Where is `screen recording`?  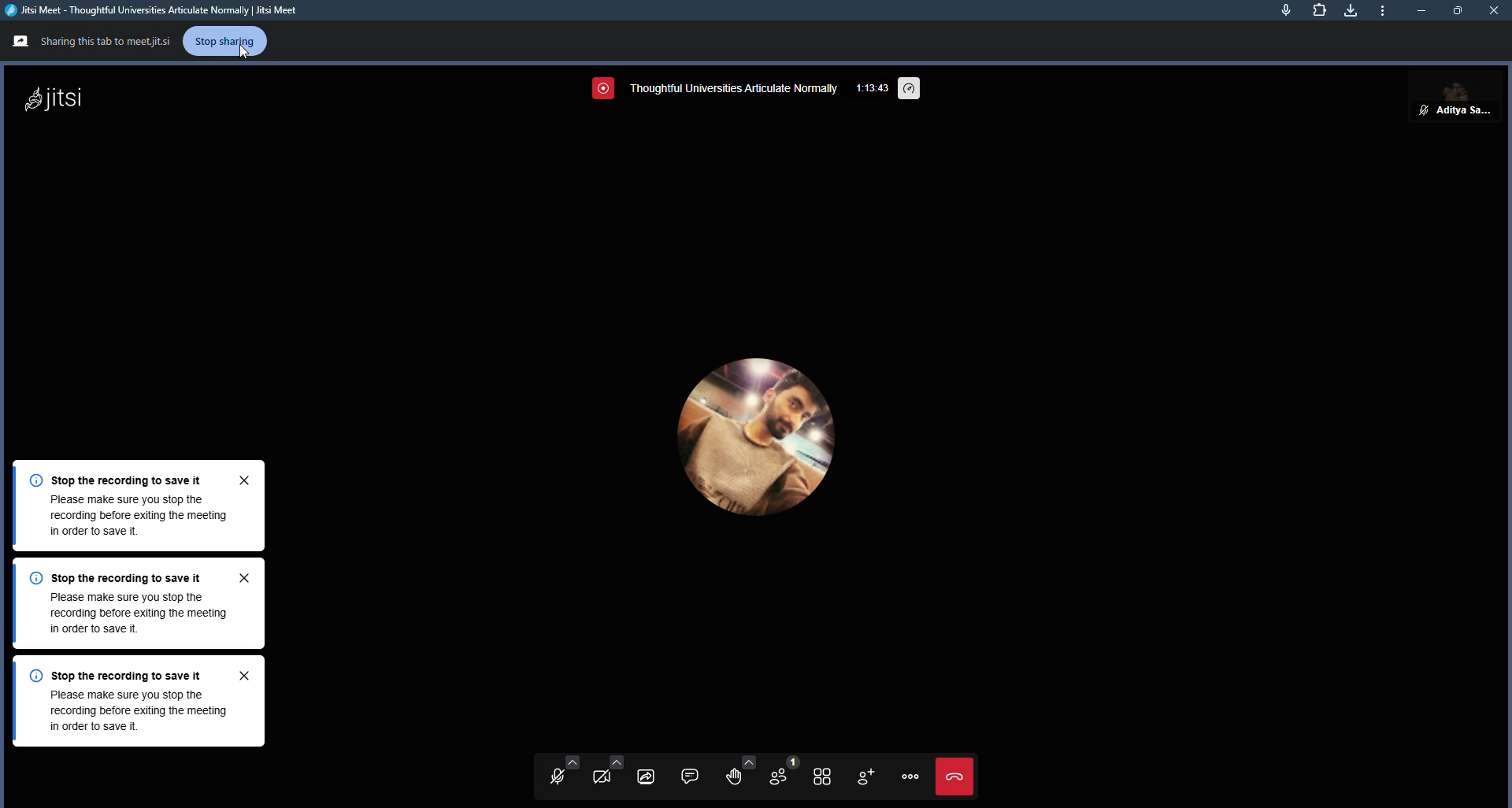 screen recording is located at coordinates (602, 91).